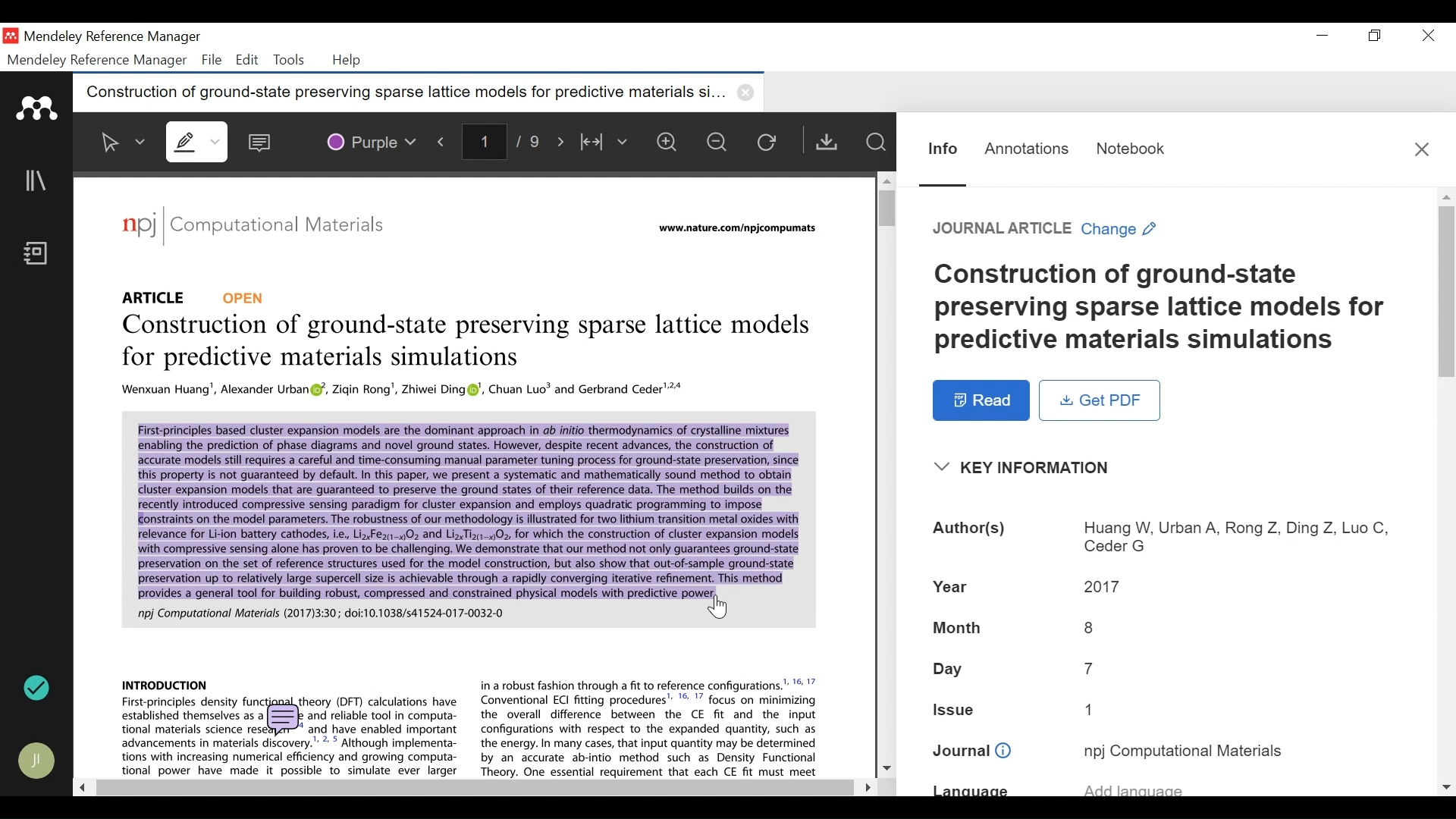  Describe the element at coordinates (958, 629) in the screenshot. I see `Month` at that location.